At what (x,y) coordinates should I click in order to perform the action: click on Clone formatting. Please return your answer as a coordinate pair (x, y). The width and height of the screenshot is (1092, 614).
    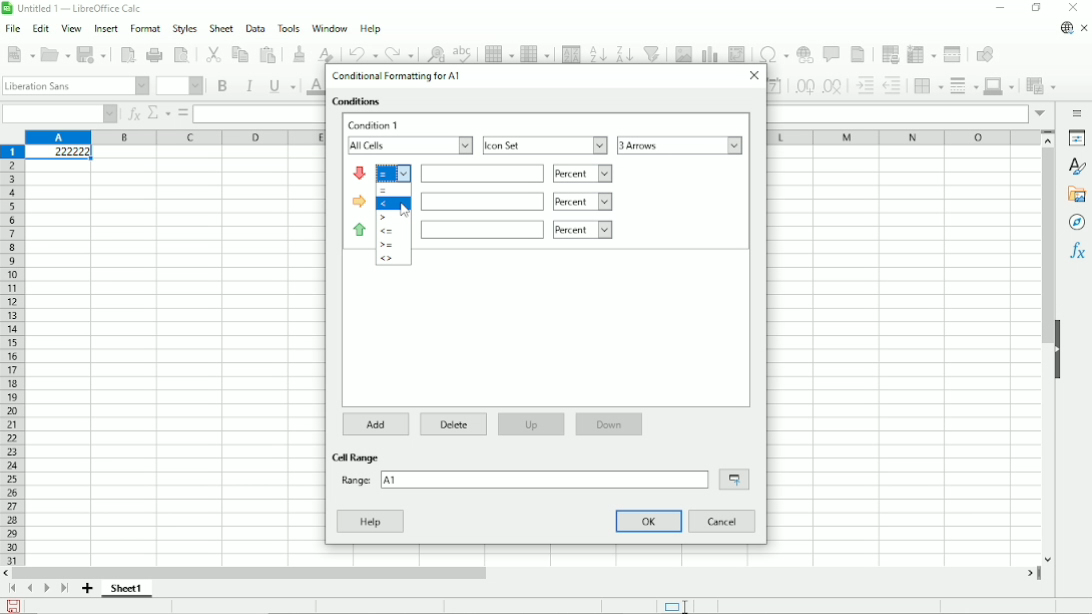
    Looking at the image, I should click on (300, 52).